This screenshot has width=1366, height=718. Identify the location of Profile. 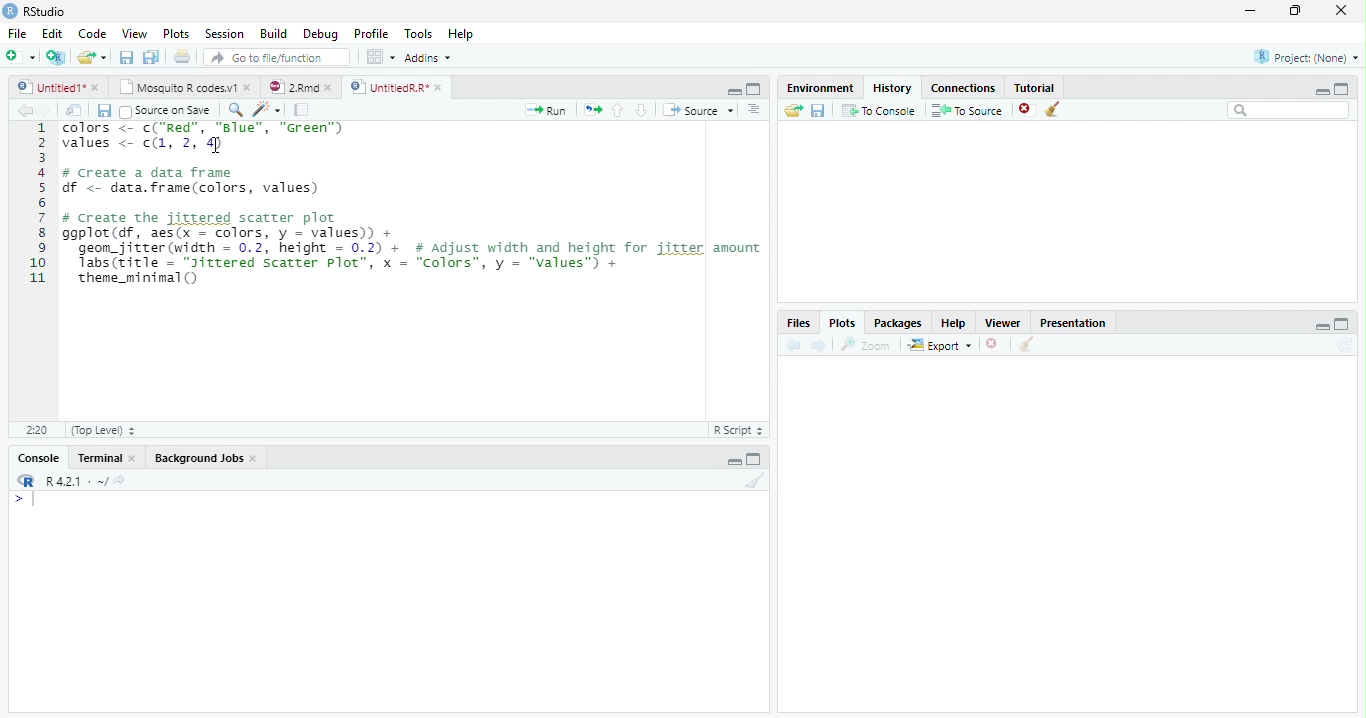
(372, 33).